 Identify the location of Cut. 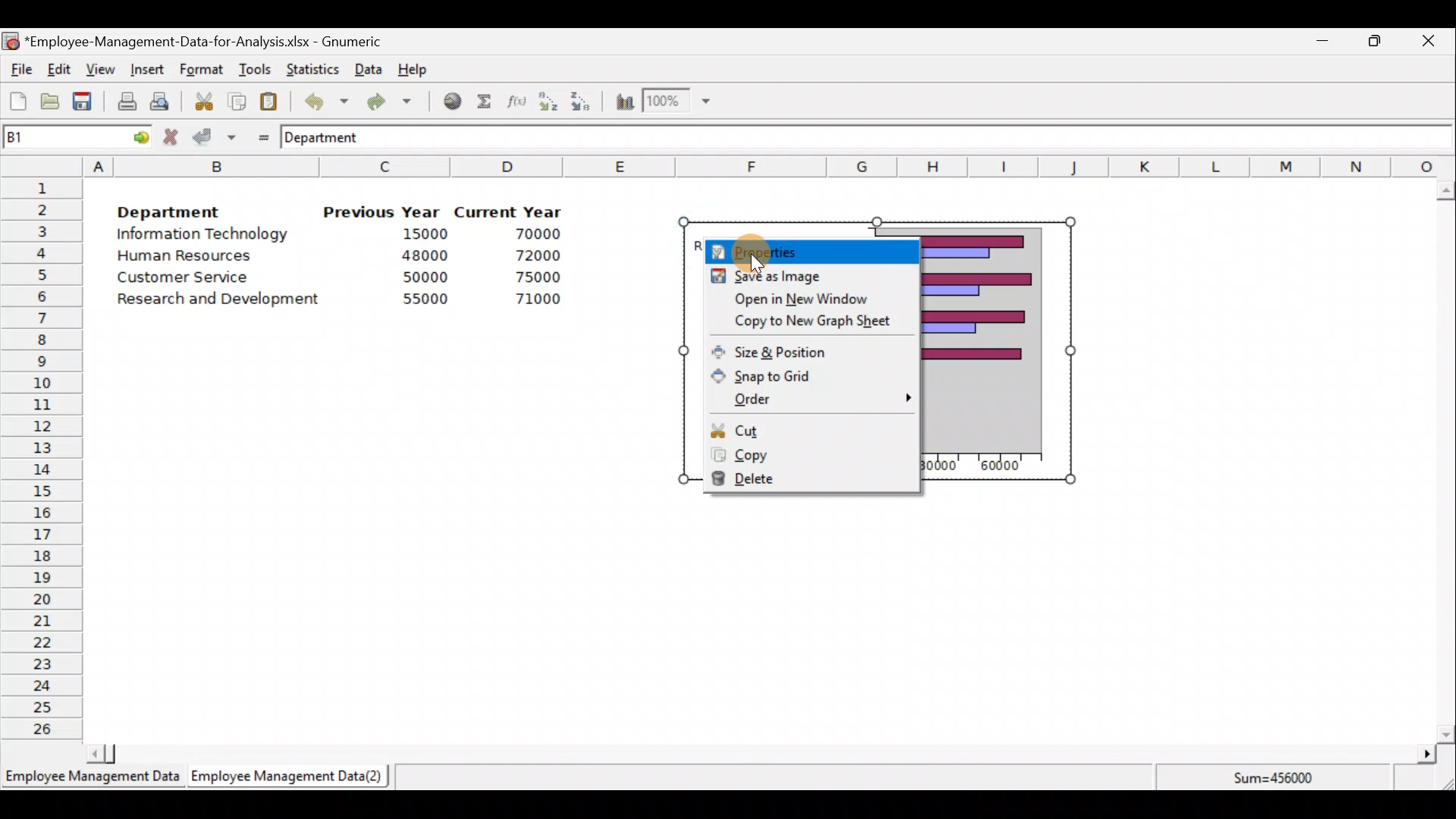
(805, 427).